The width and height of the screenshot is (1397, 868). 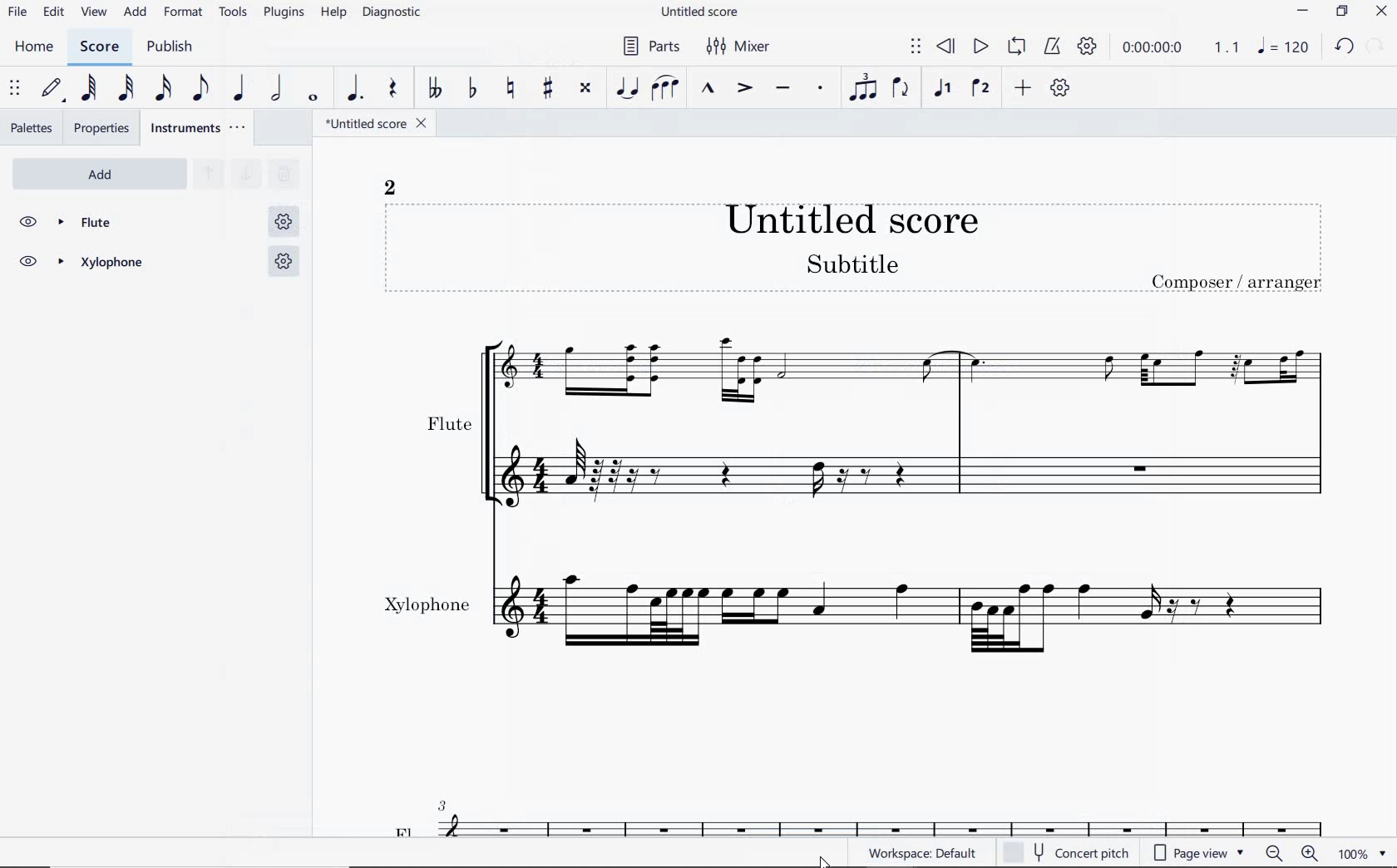 What do you see at coordinates (918, 853) in the screenshot?
I see `workspace default` at bounding box center [918, 853].